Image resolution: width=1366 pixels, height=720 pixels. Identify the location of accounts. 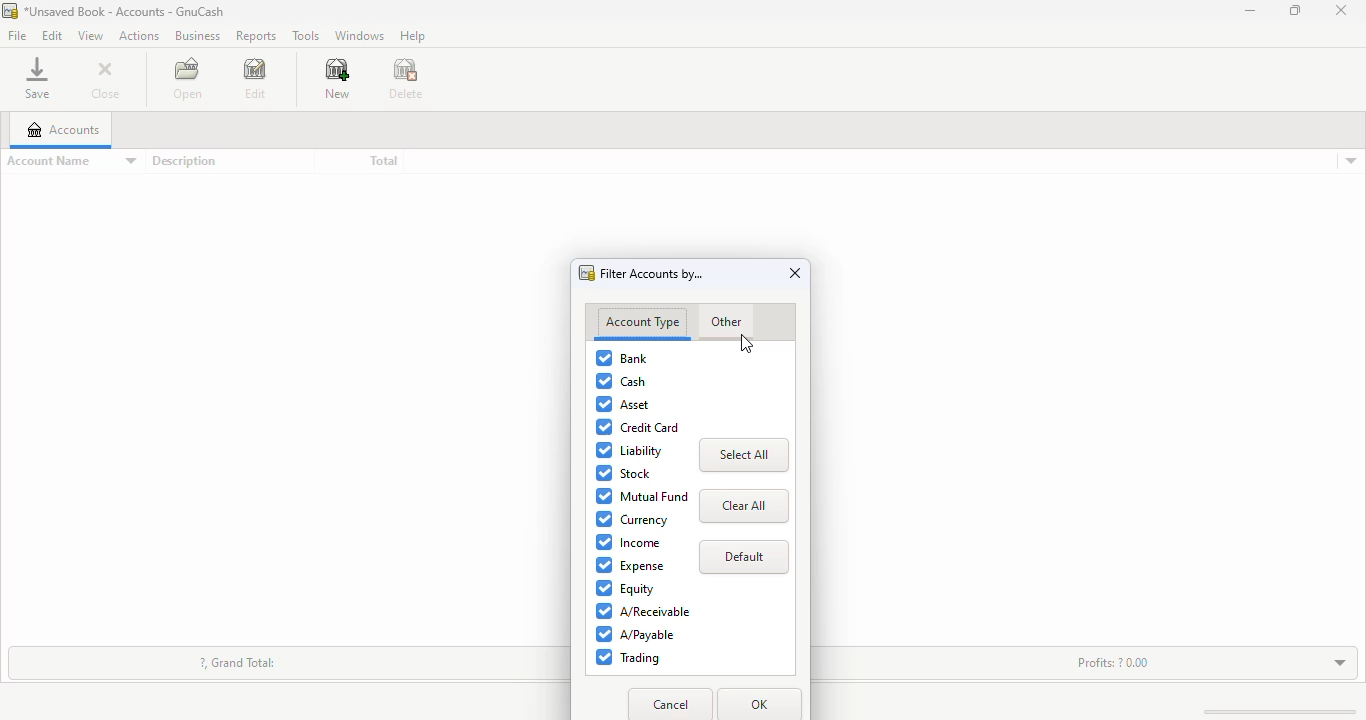
(63, 129).